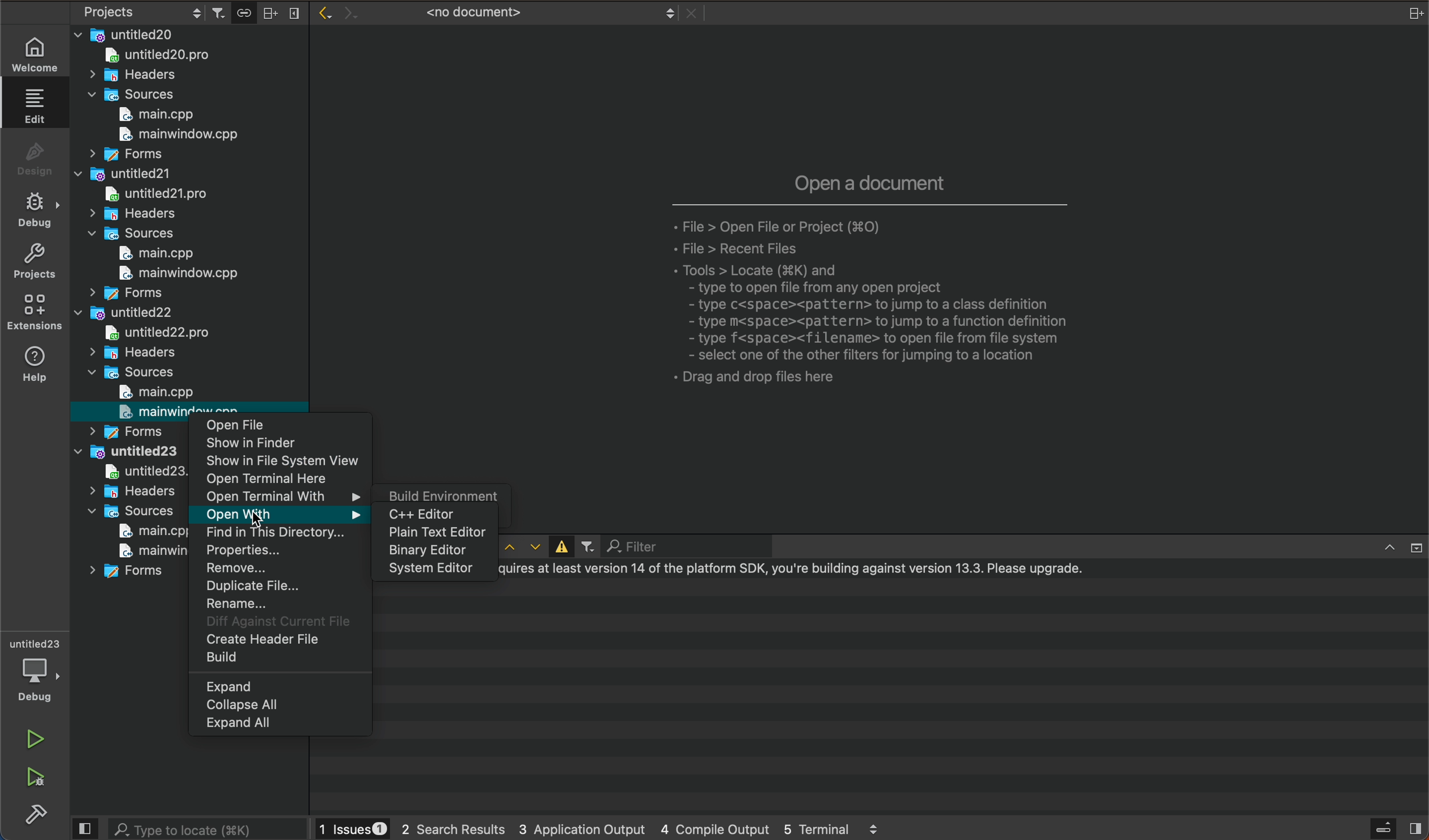 This screenshot has width=1429, height=840. Describe the element at coordinates (277, 640) in the screenshot. I see `create file` at that location.